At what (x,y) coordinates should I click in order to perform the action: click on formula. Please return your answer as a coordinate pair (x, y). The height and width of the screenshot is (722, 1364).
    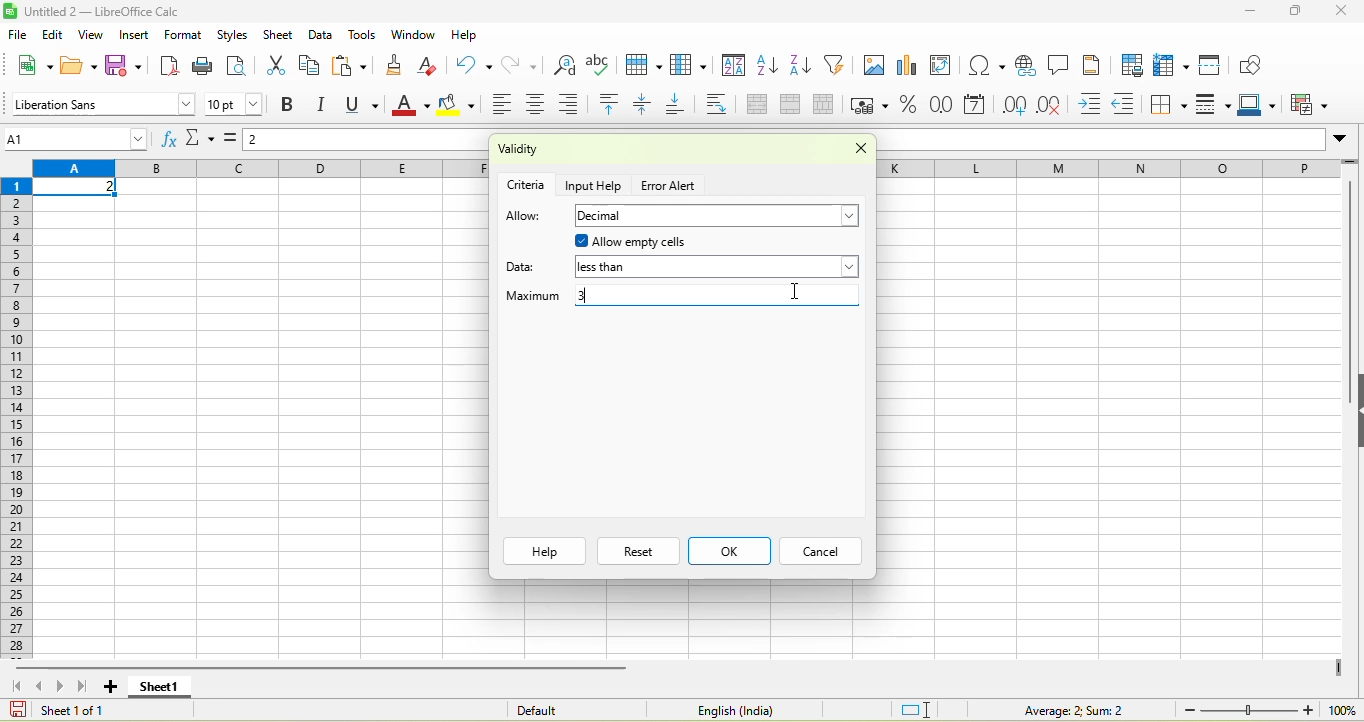
    Looking at the image, I should click on (1059, 709).